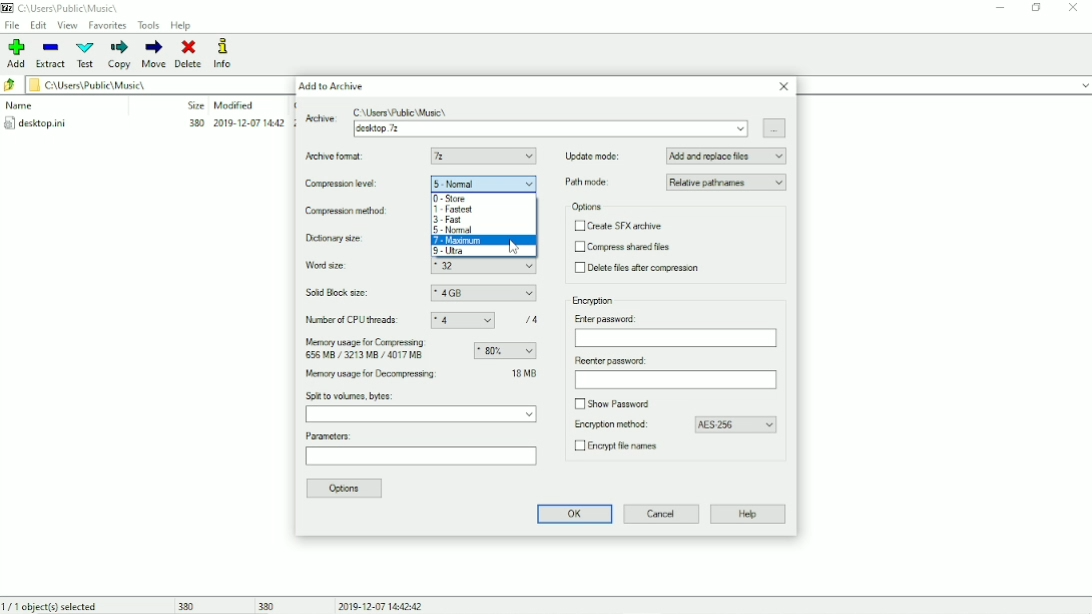 Image resolution: width=1092 pixels, height=614 pixels. What do you see at coordinates (335, 86) in the screenshot?
I see `Add to Archive` at bounding box center [335, 86].